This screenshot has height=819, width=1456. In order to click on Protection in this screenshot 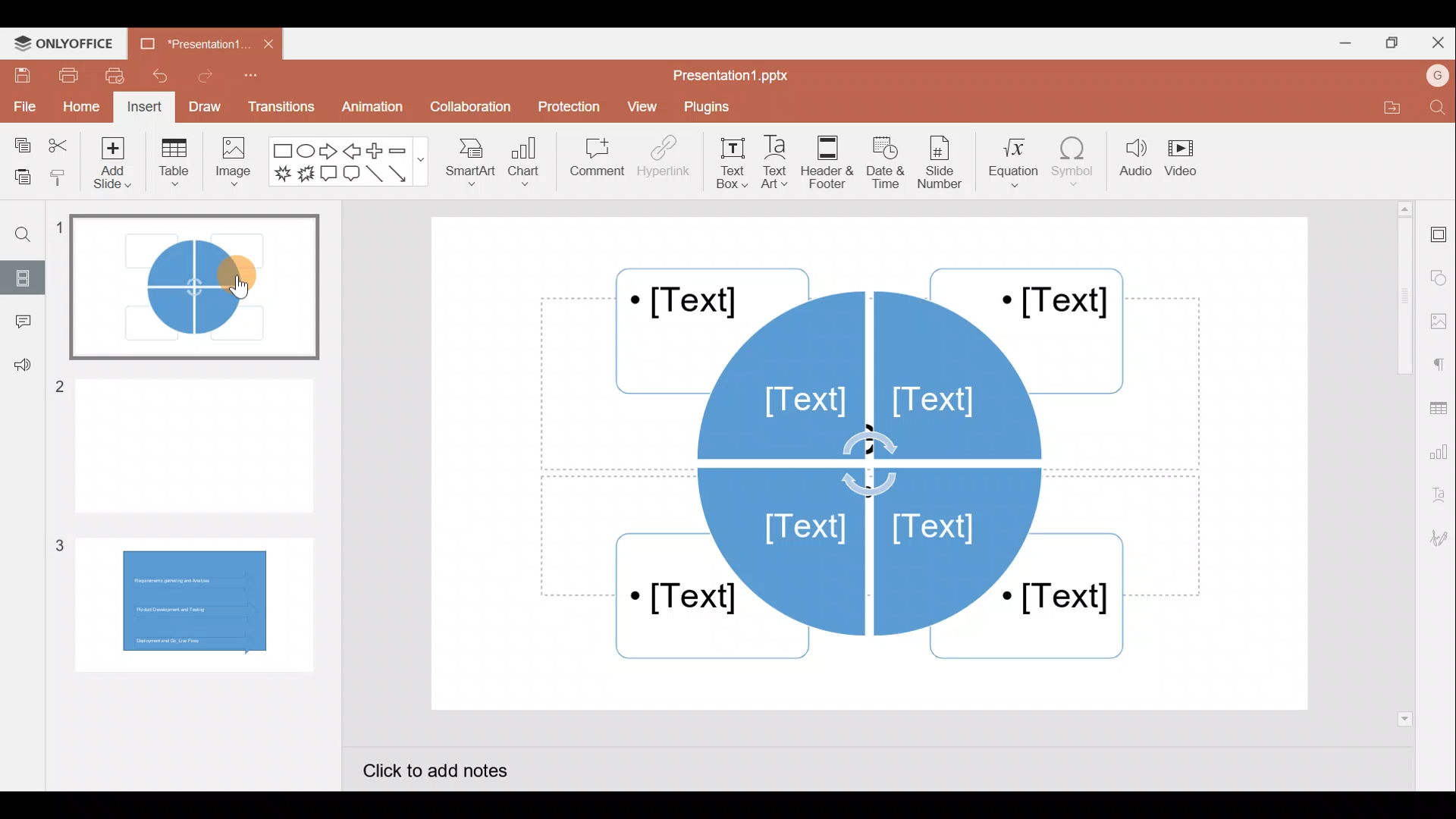, I will do `click(566, 103)`.